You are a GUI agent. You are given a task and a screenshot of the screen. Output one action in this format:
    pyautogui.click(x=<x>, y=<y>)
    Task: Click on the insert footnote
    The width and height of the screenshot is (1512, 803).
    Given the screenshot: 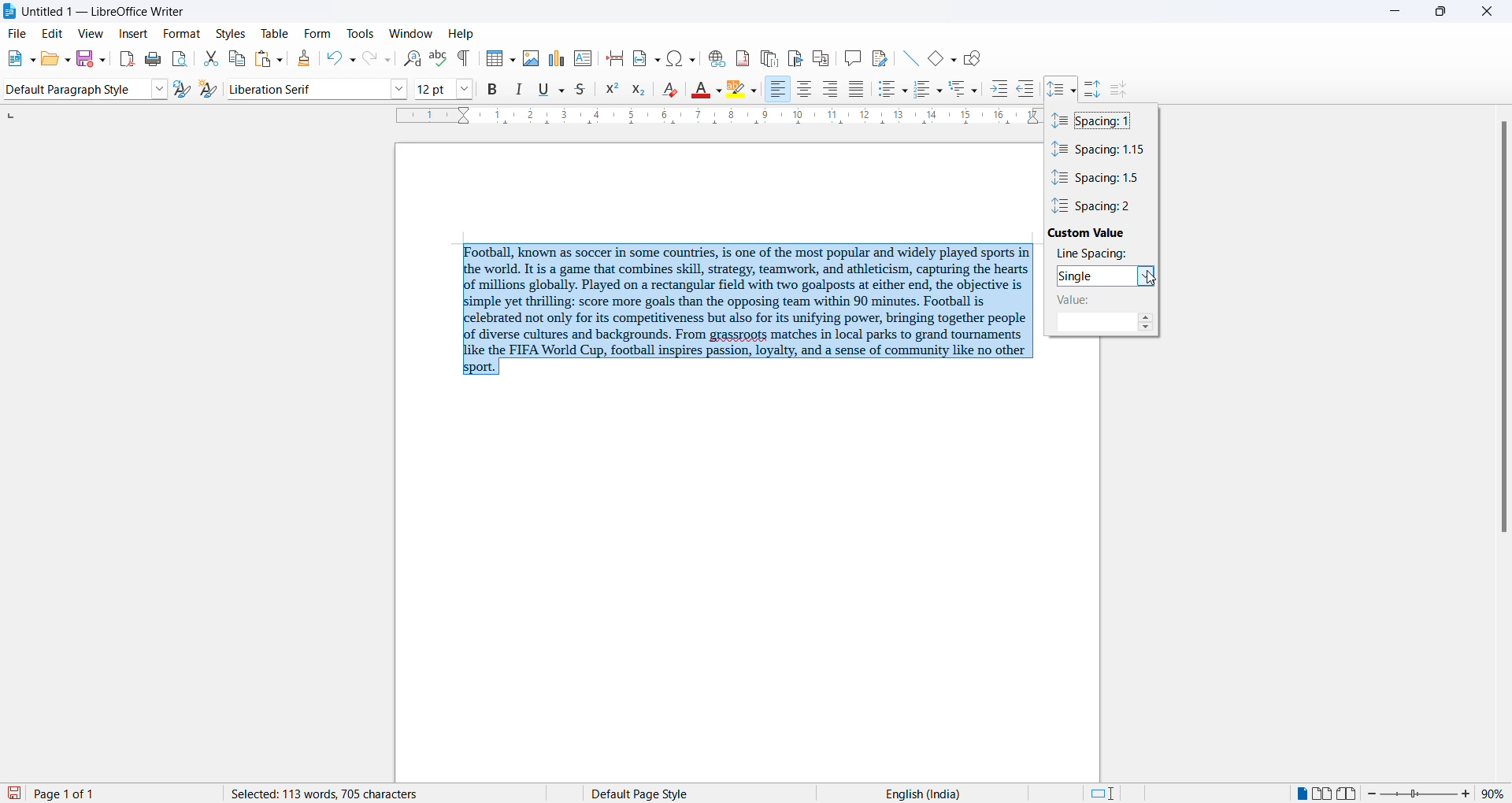 What is the action you would take?
    pyautogui.click(x=743, y=60)
    